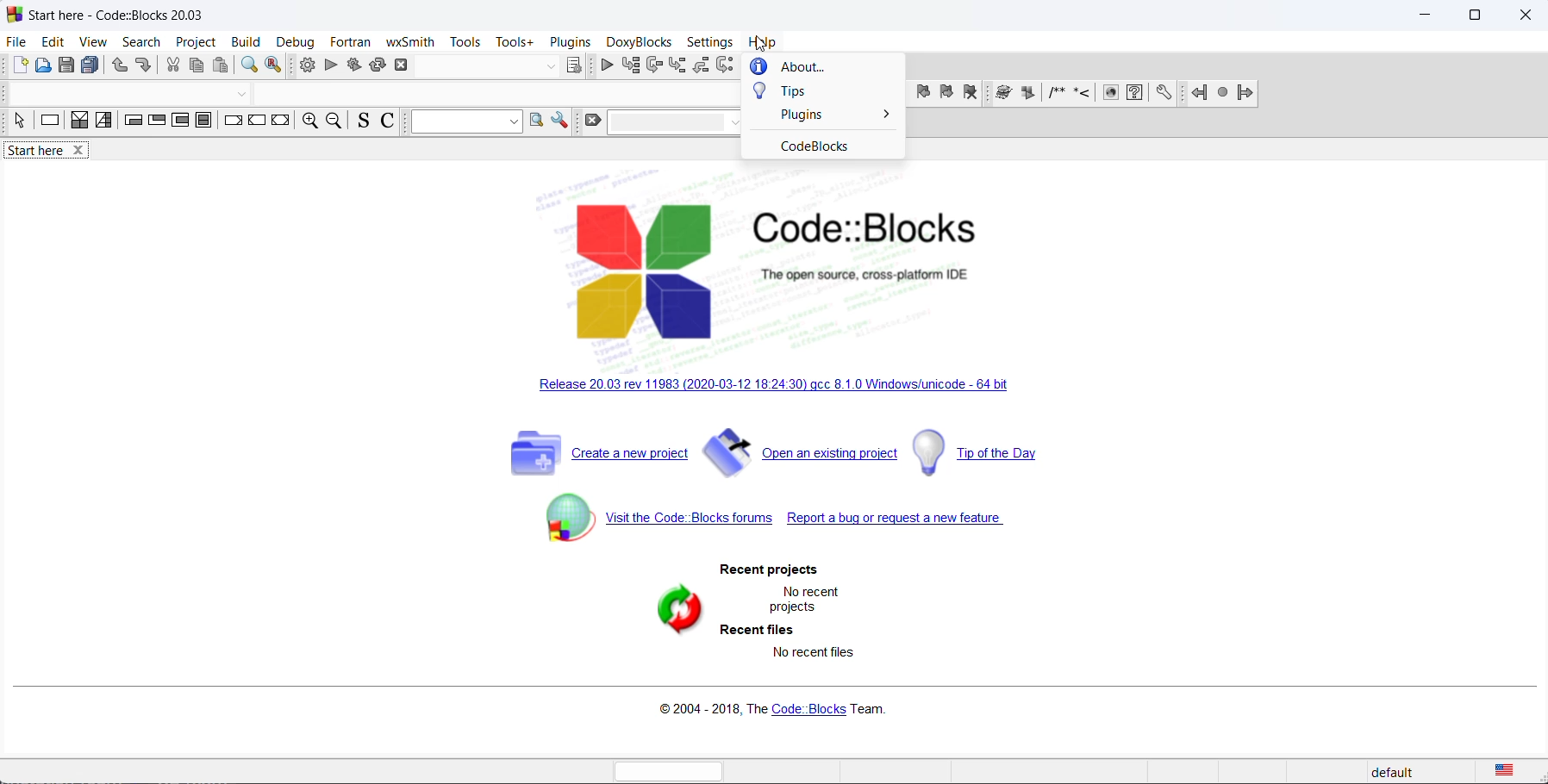 This screenshot has width=1548, height=784. I want to click on default, so click(1399, 768).